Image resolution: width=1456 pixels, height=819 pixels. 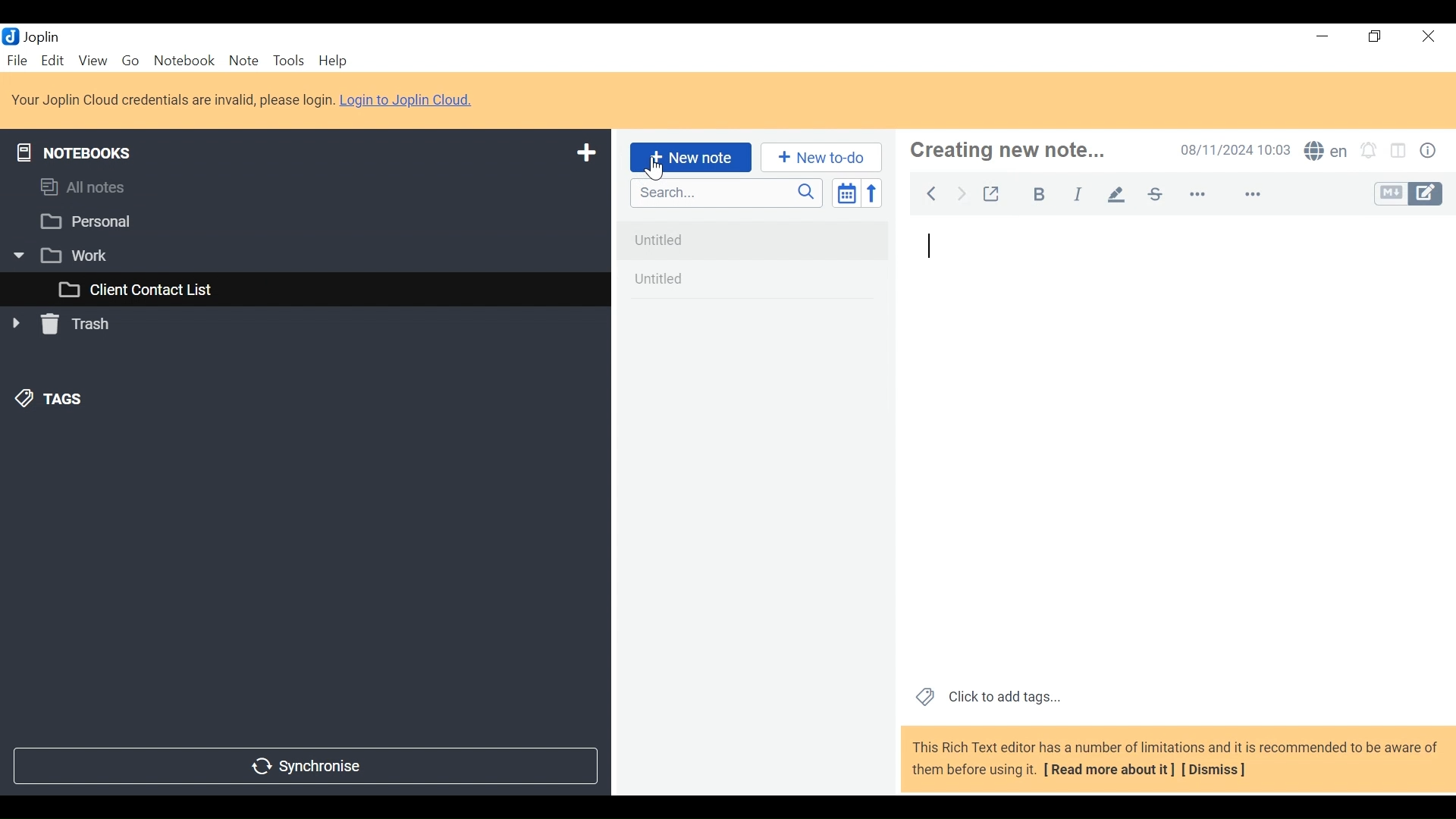 I want to click on Go, so click(x=130, y=61).